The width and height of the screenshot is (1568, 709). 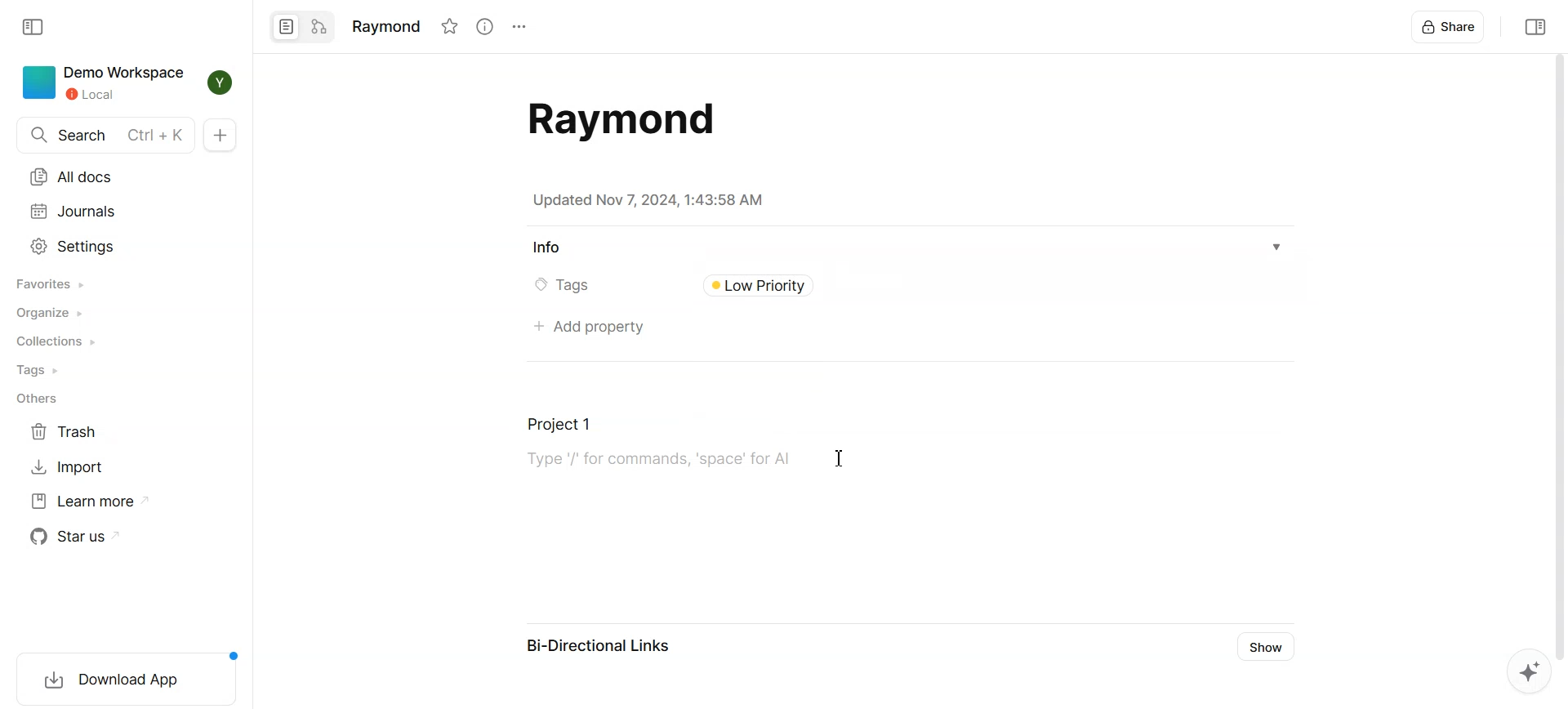 What do you see at coordinates (220, 135) in the screenshot?
I see `New doc` at bounding box center [220, 135].